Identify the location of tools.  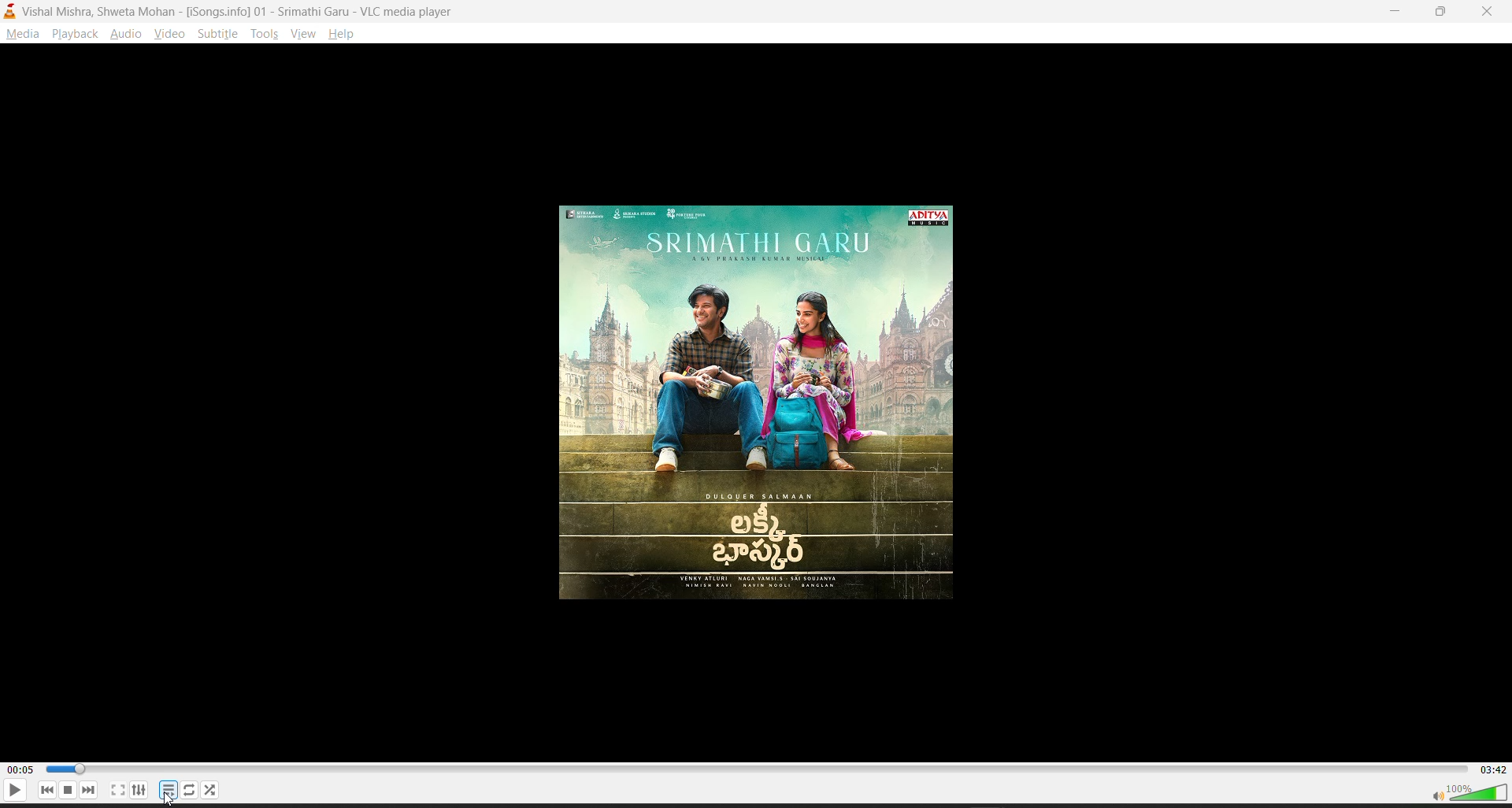
(263, 32).